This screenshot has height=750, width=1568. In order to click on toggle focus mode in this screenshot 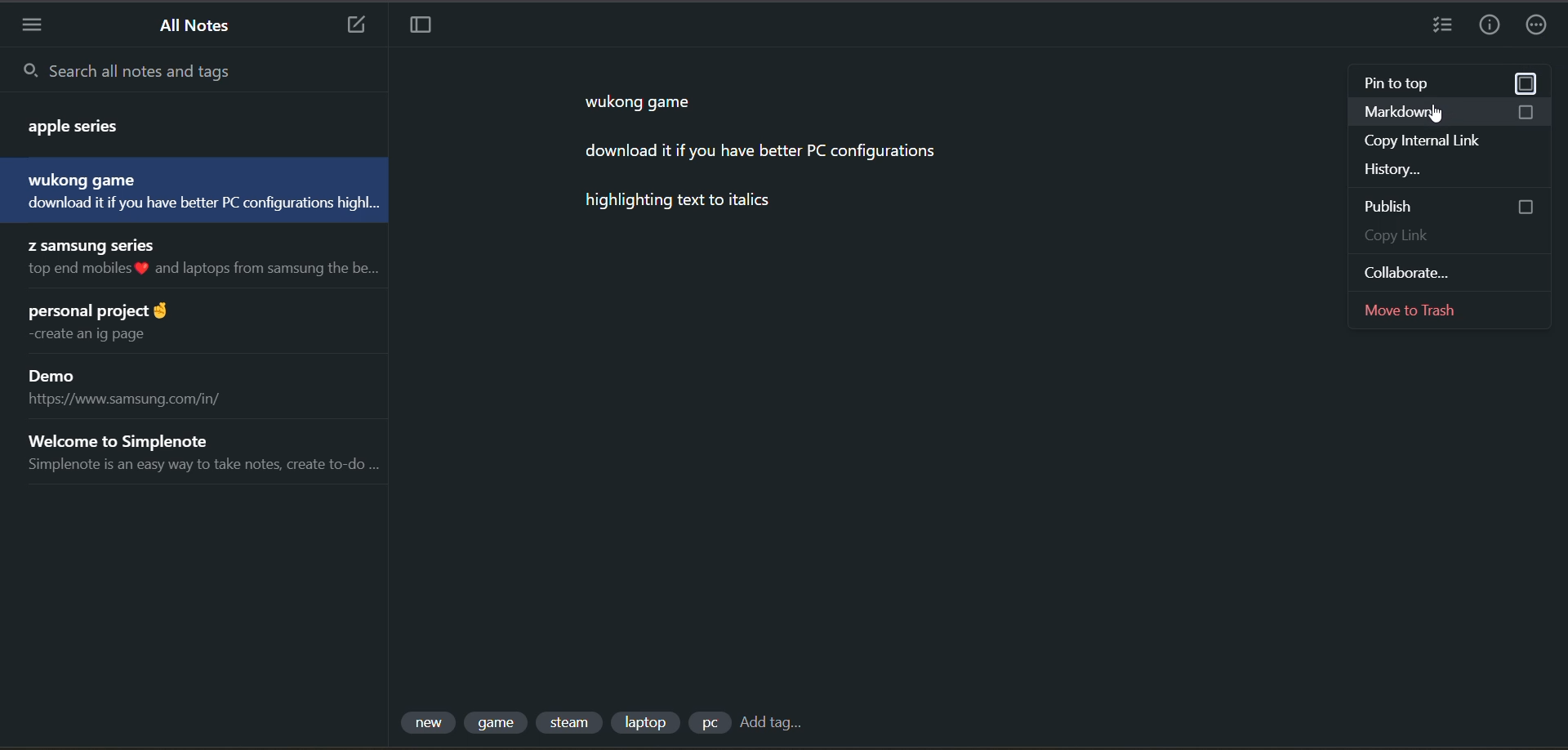, I will do `click(421, 27)`.